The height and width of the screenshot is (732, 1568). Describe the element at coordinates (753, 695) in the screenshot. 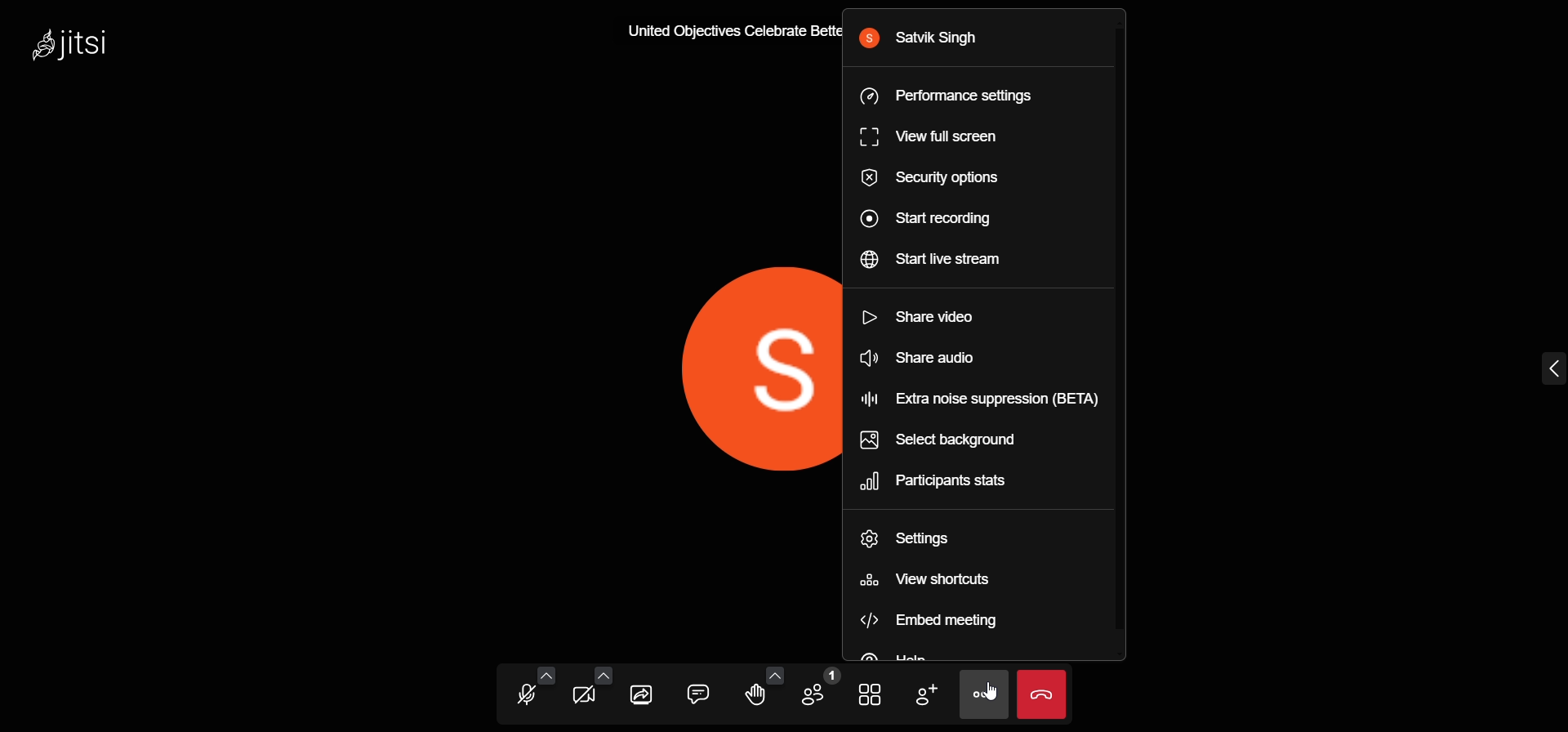

I see `raise hand` at that location.